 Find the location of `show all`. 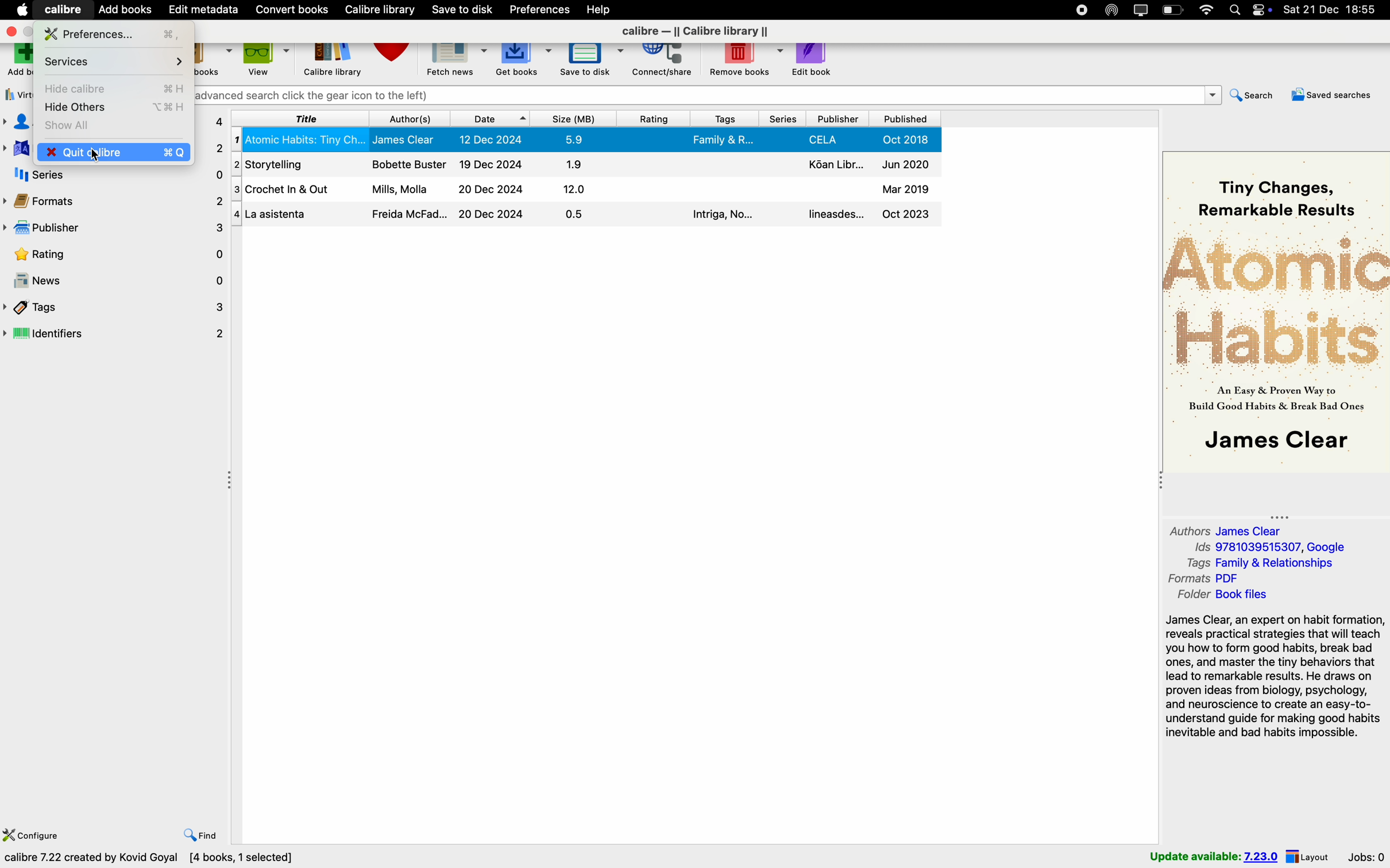

show all is located at coordinates (73, 125).